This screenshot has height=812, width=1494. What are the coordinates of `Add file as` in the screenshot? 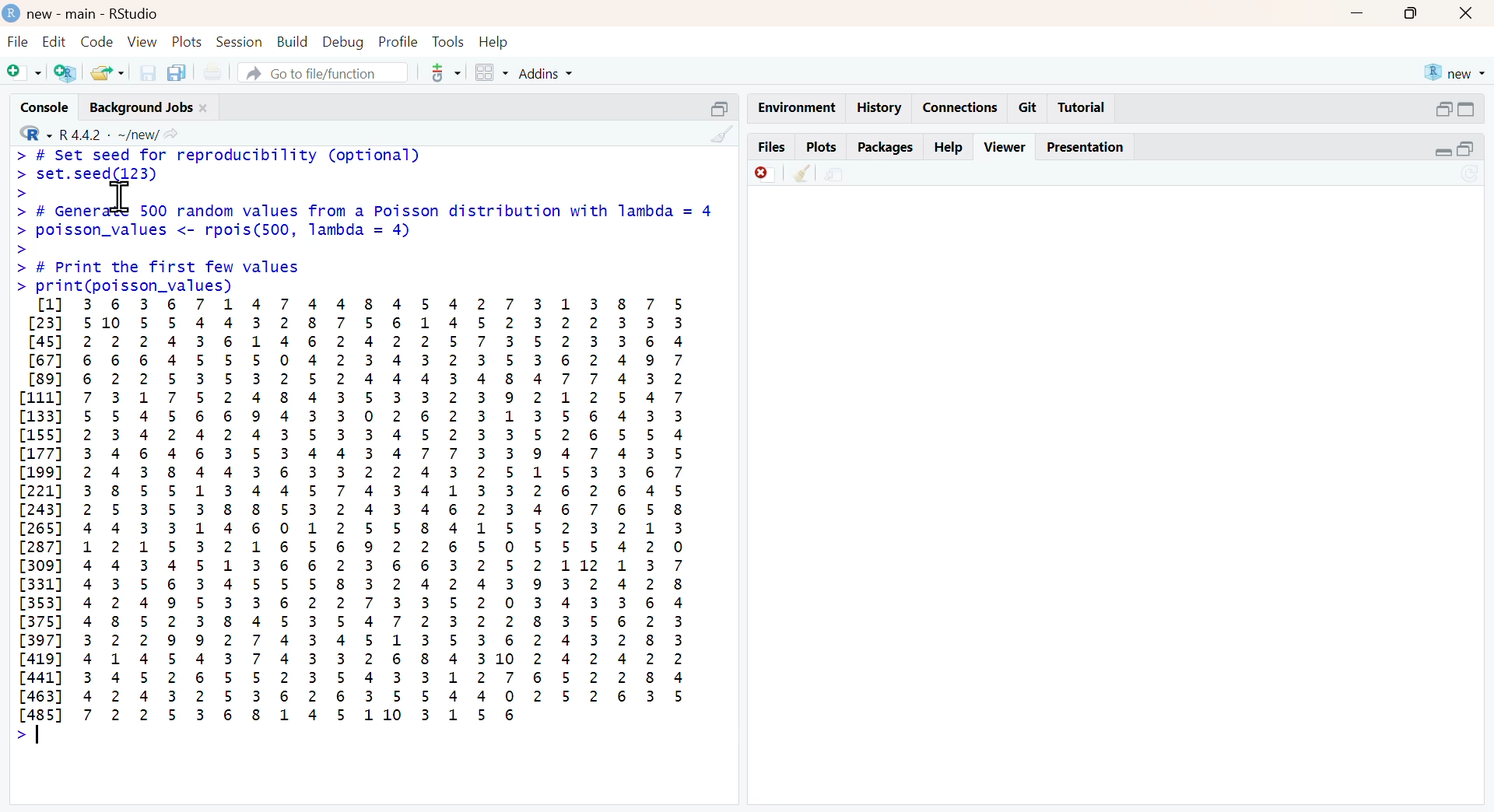 It's located at (26, 73).